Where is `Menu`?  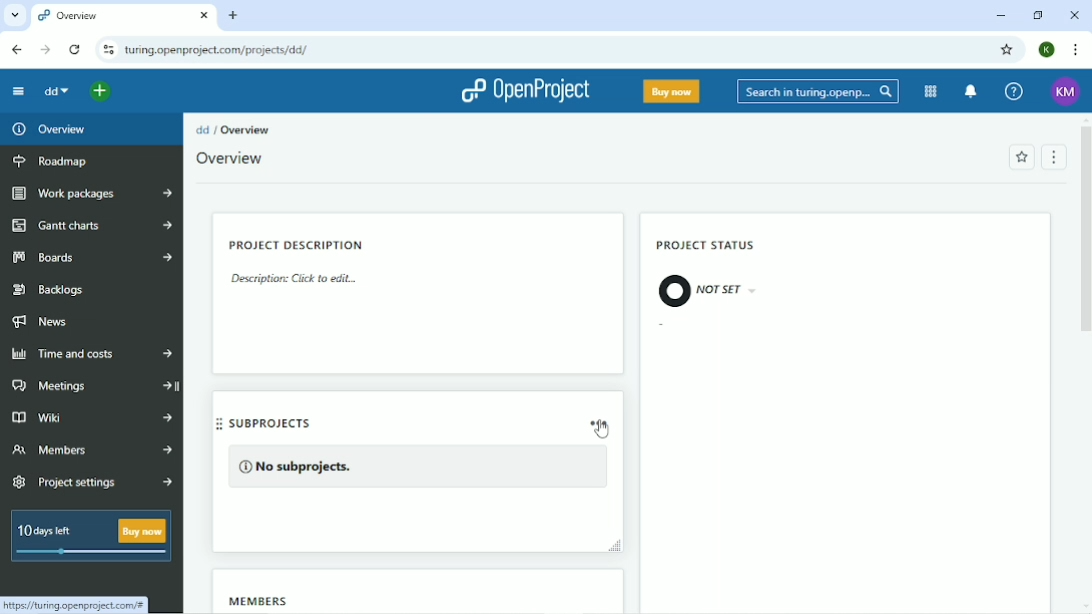 Menu is located at coordinates (1052, 158).